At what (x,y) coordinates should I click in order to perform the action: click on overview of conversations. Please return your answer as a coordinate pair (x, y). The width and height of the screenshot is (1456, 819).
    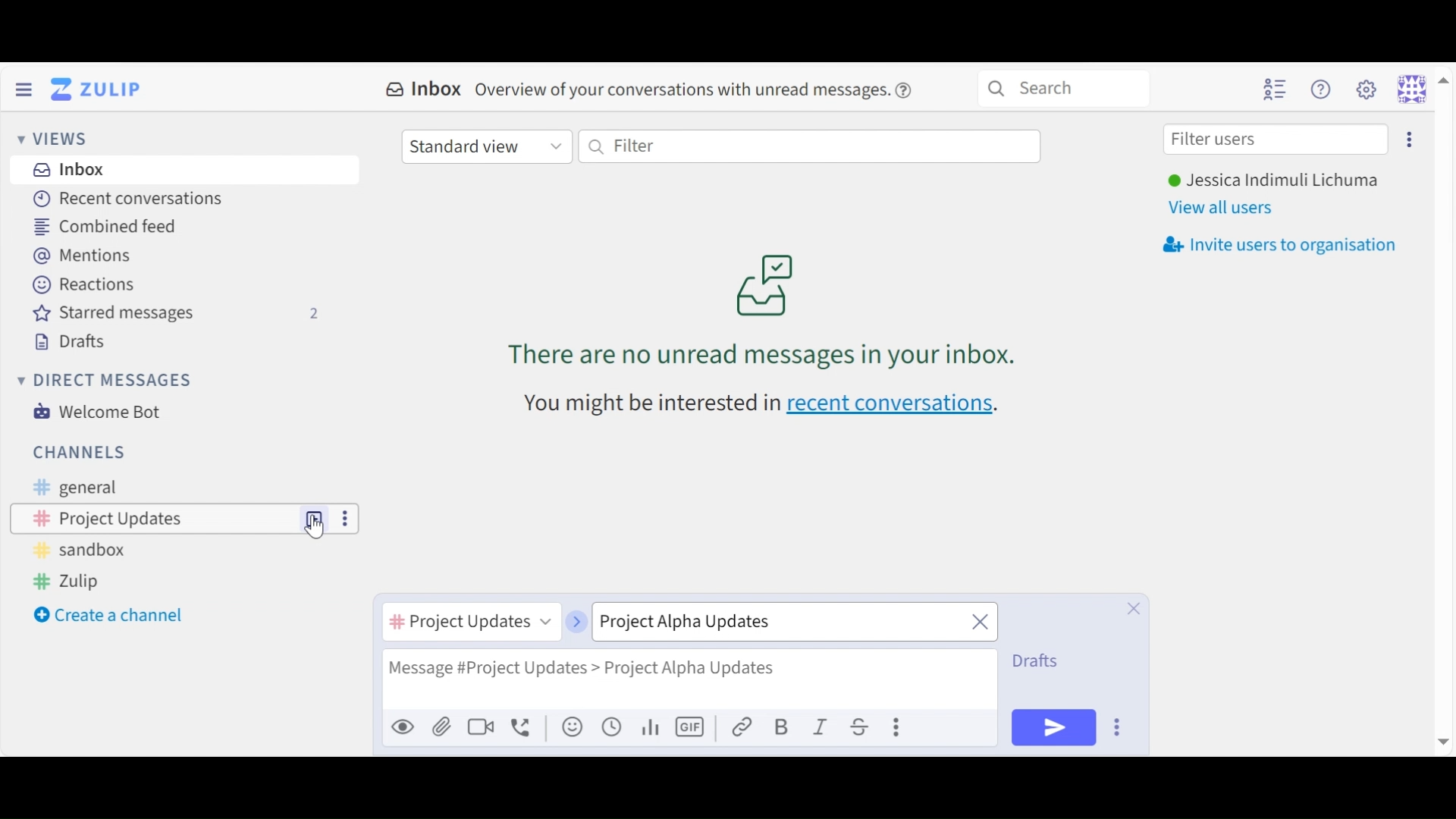
    Looking at the image, I should click on (682, 91).